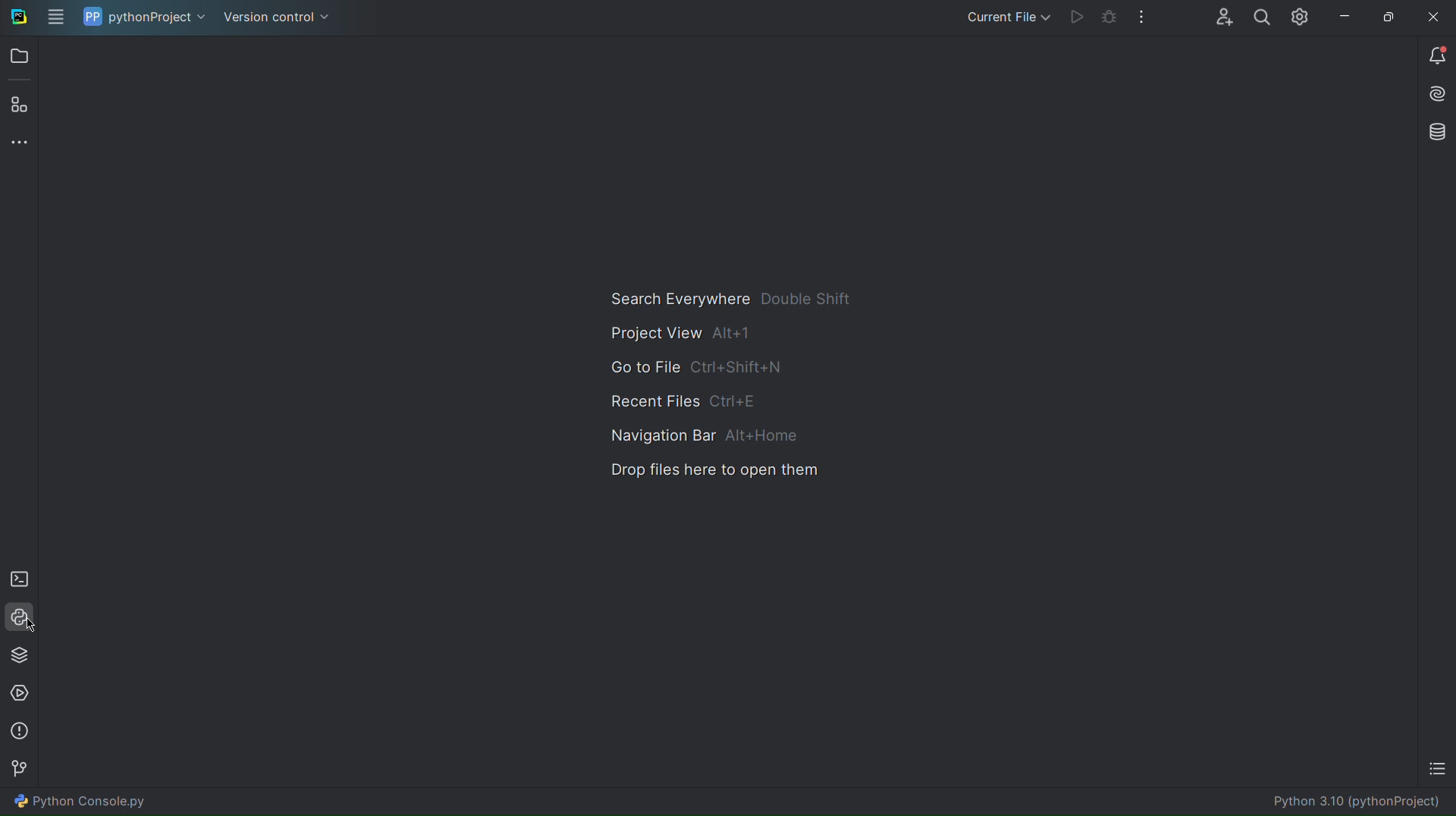  What do you see at coordinates (1345, 17) in the screenshot?
I see `Minimize` at bounding box center [1345, 17].